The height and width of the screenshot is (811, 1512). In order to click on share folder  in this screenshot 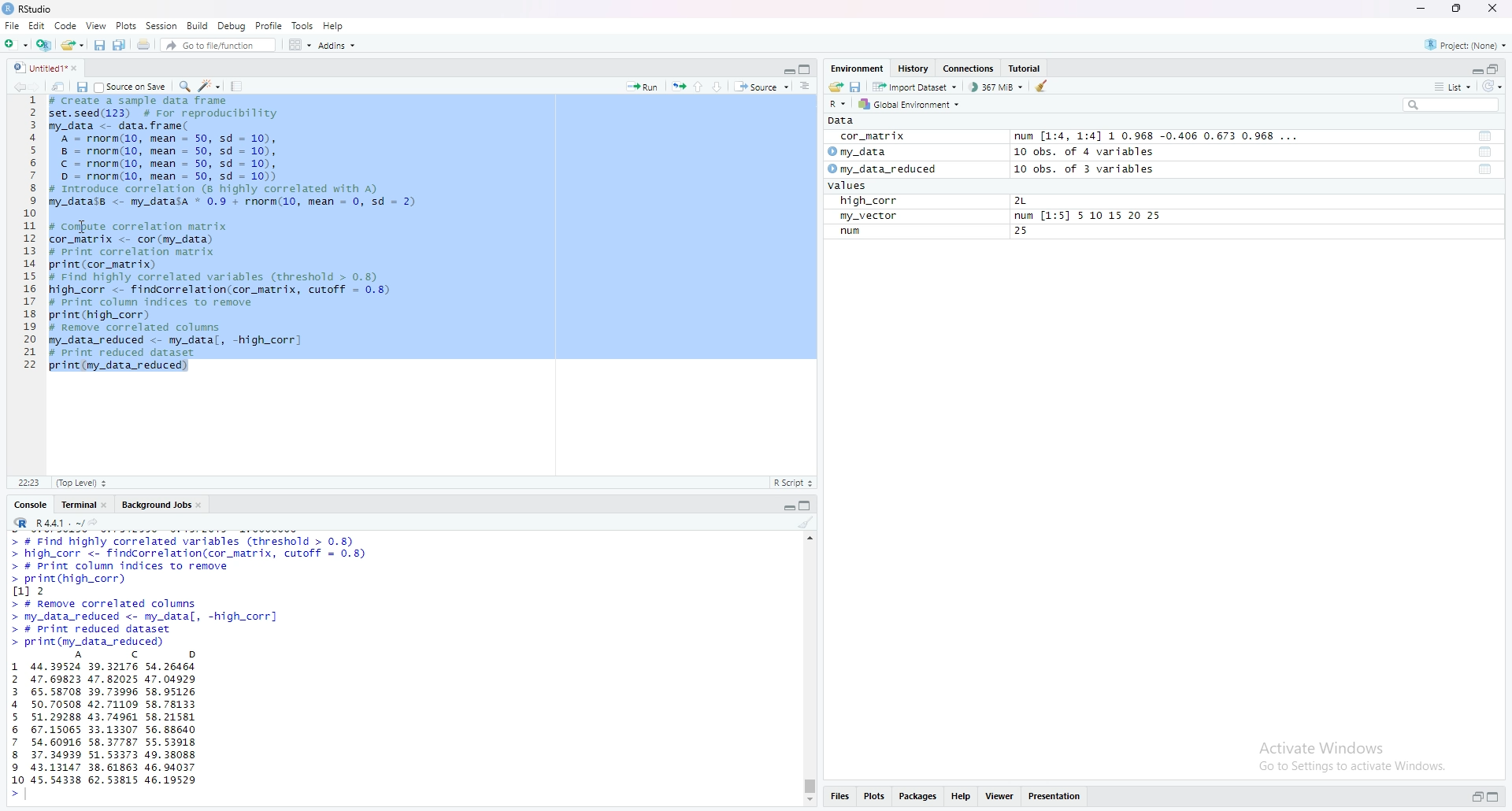, I will do `click(73, 45)`.